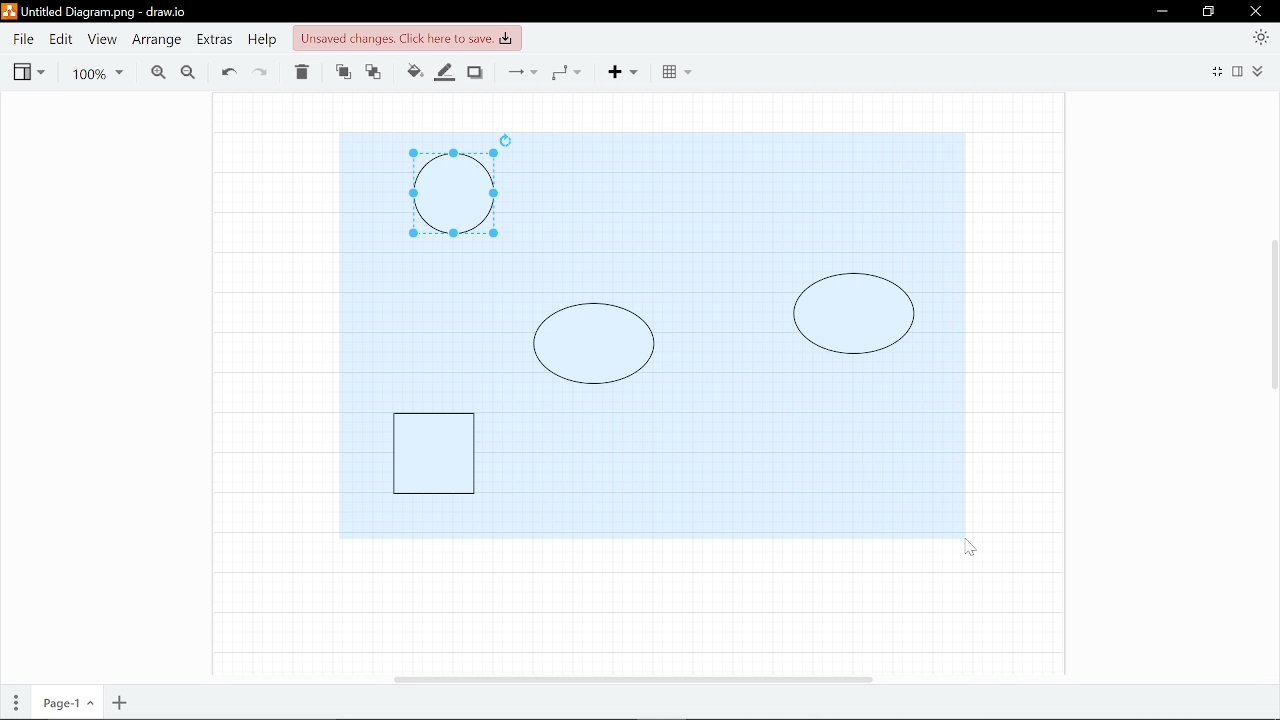 This screenshot has width=1280, height=720. I want to click on Appearance, so click(1262, 36).